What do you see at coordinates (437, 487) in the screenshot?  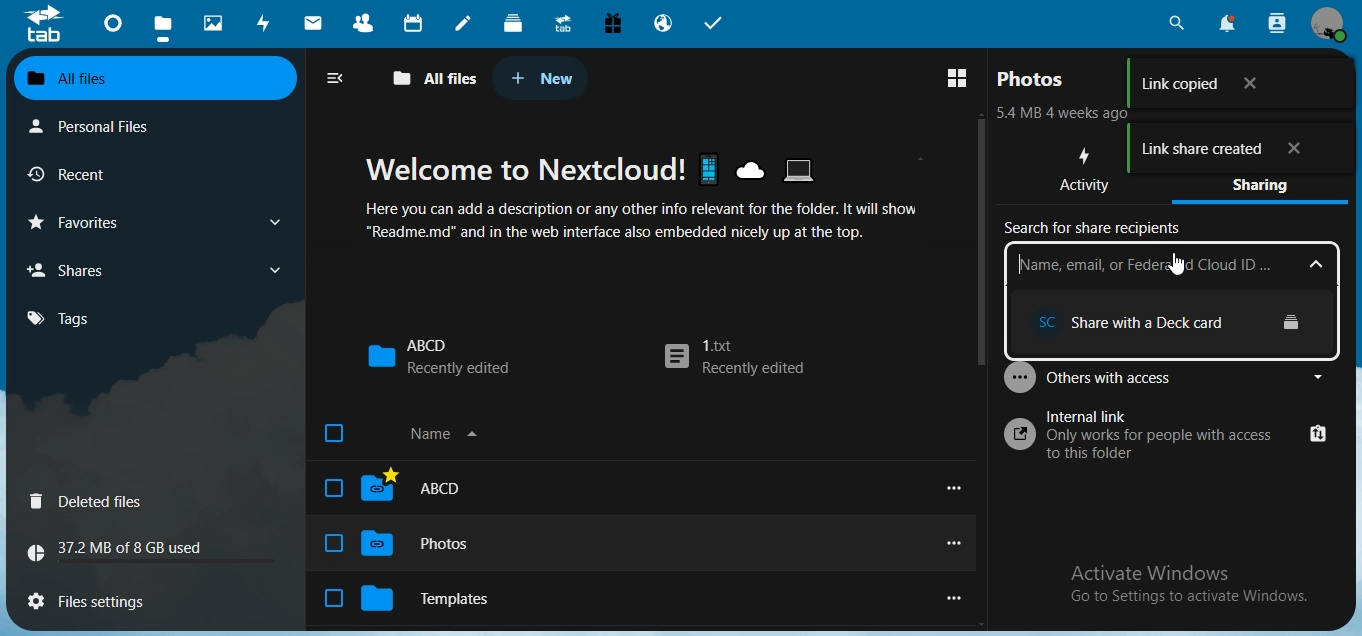 I see `ABCD` at bounding box center [437, 487].